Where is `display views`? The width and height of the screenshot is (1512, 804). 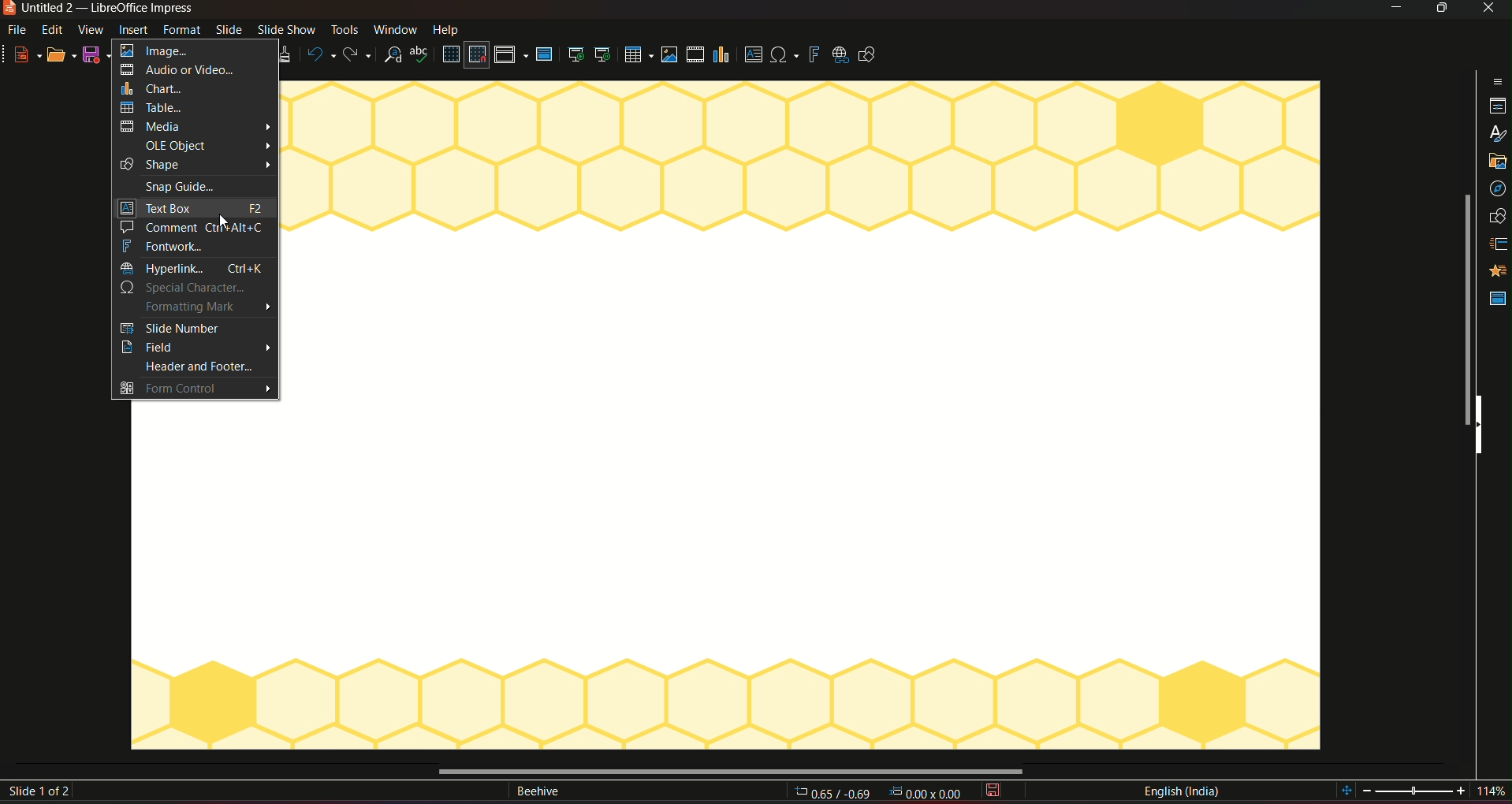 display views is located at coordinates (511, 55).